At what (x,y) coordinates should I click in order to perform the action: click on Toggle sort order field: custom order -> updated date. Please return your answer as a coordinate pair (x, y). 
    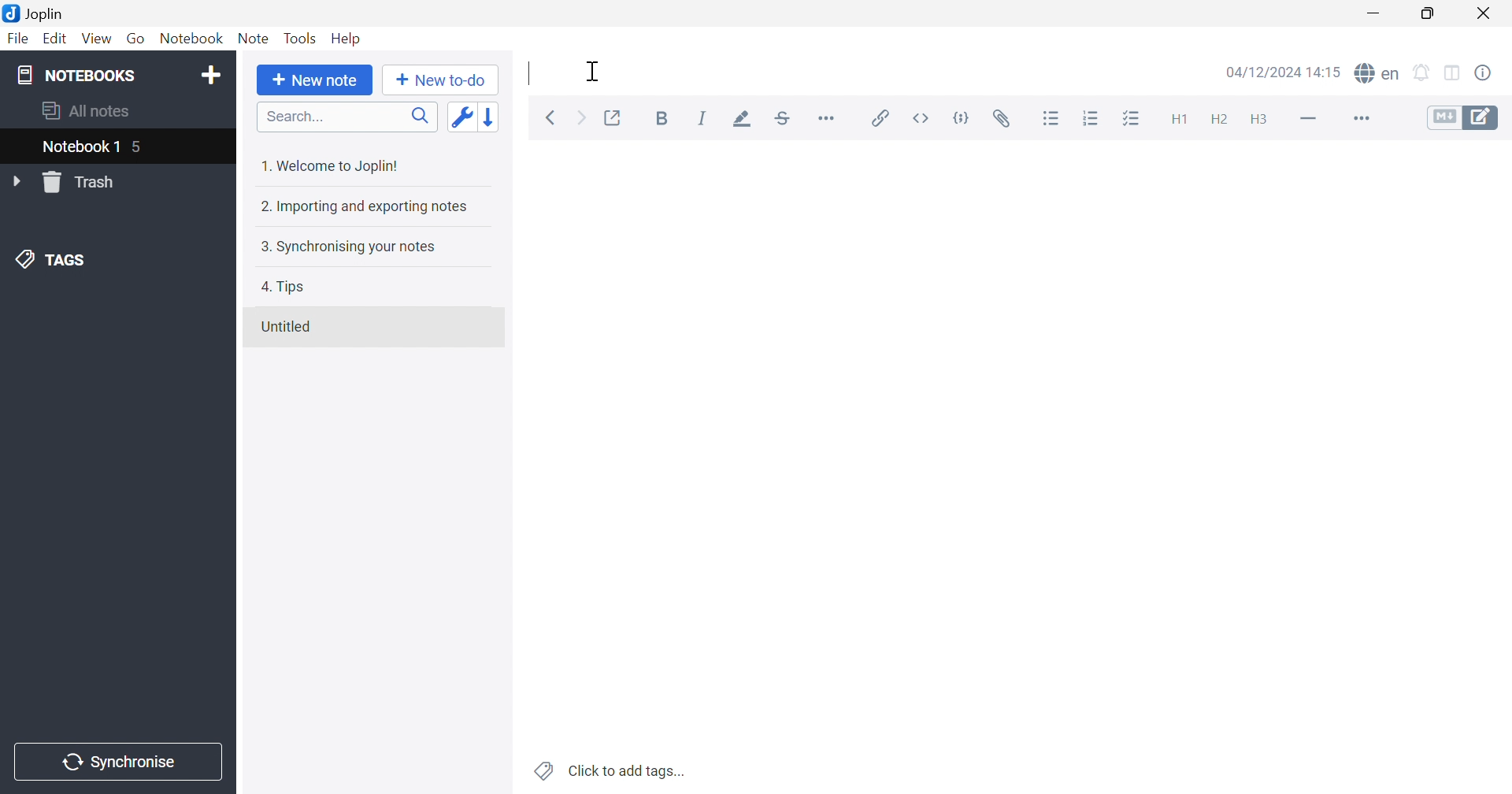
    Looking at the image, I should click on (461, 116).